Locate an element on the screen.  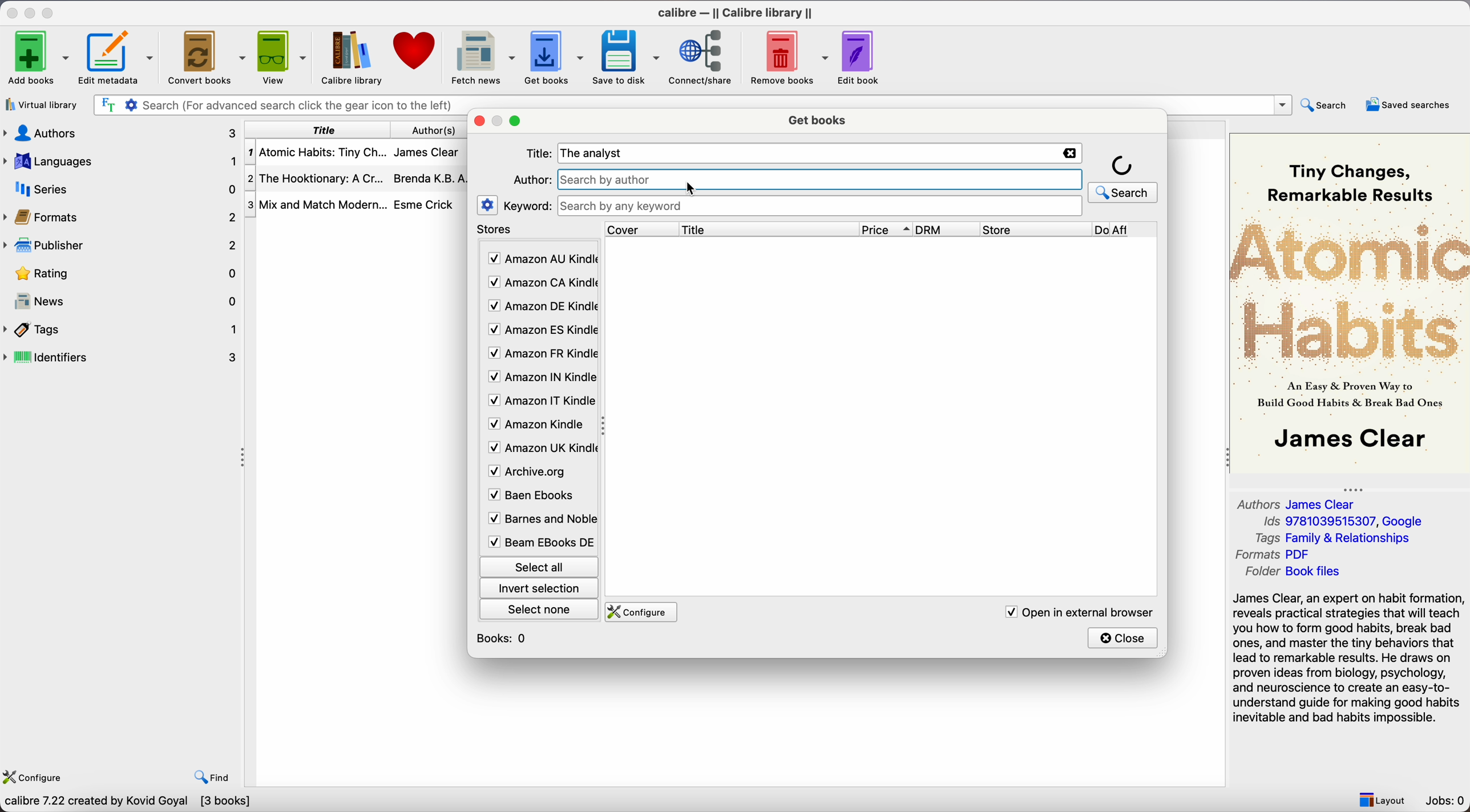
Brenda K.B.A... is located at coordinates (434, 178).